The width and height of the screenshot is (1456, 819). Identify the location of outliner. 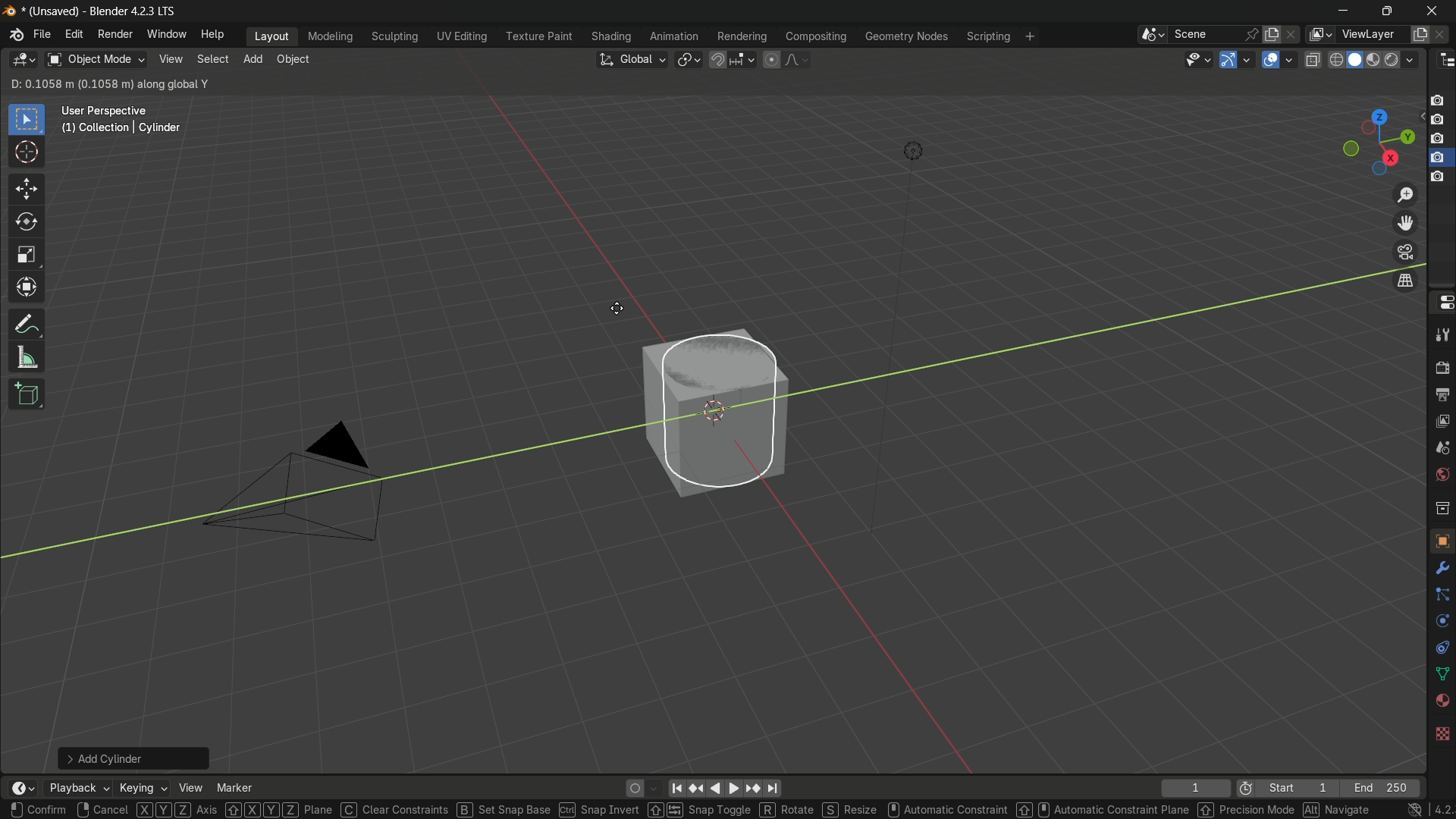
(1443, 60).